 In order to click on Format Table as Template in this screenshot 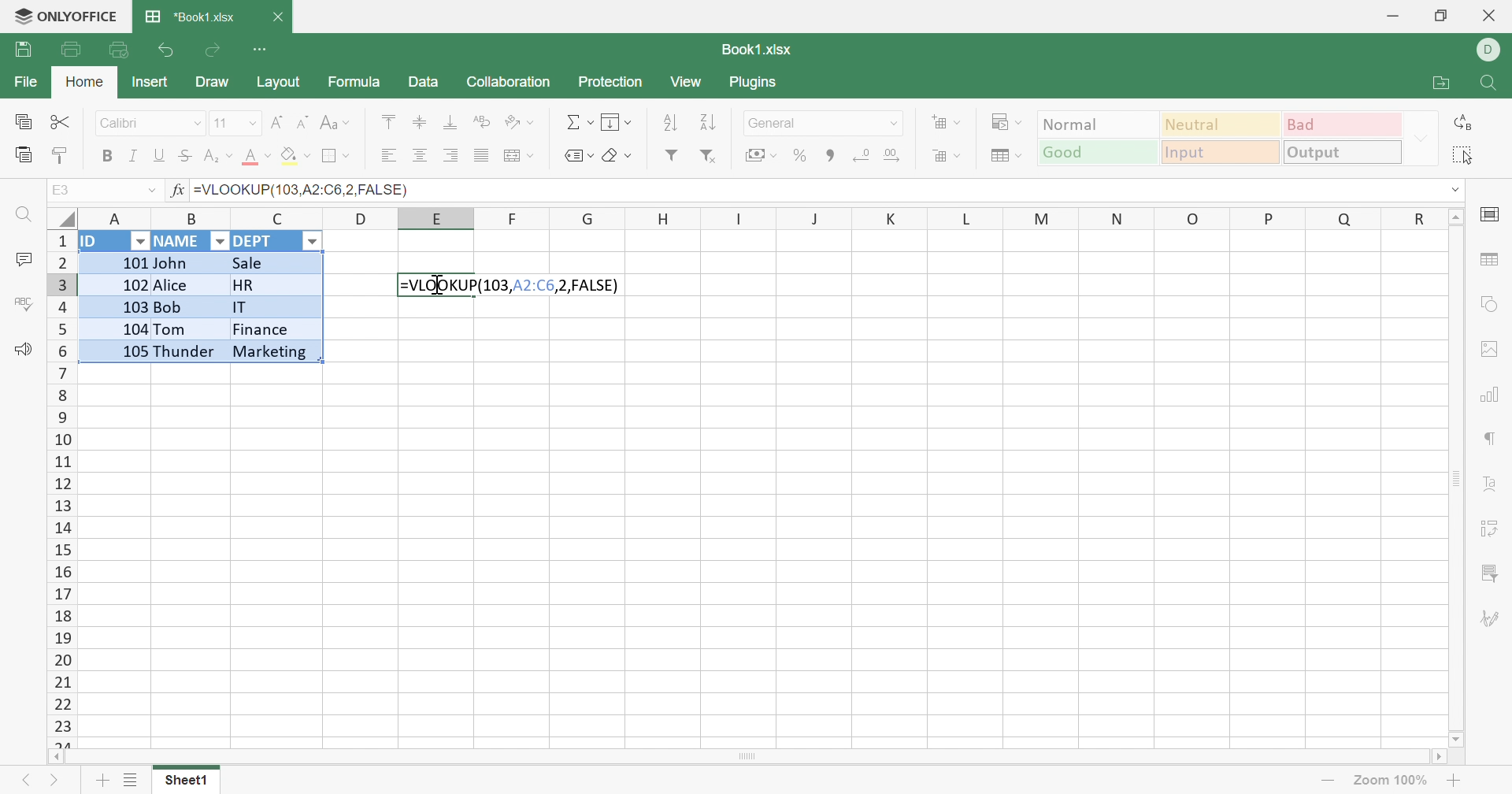, I will do `click(1003, 155)`.